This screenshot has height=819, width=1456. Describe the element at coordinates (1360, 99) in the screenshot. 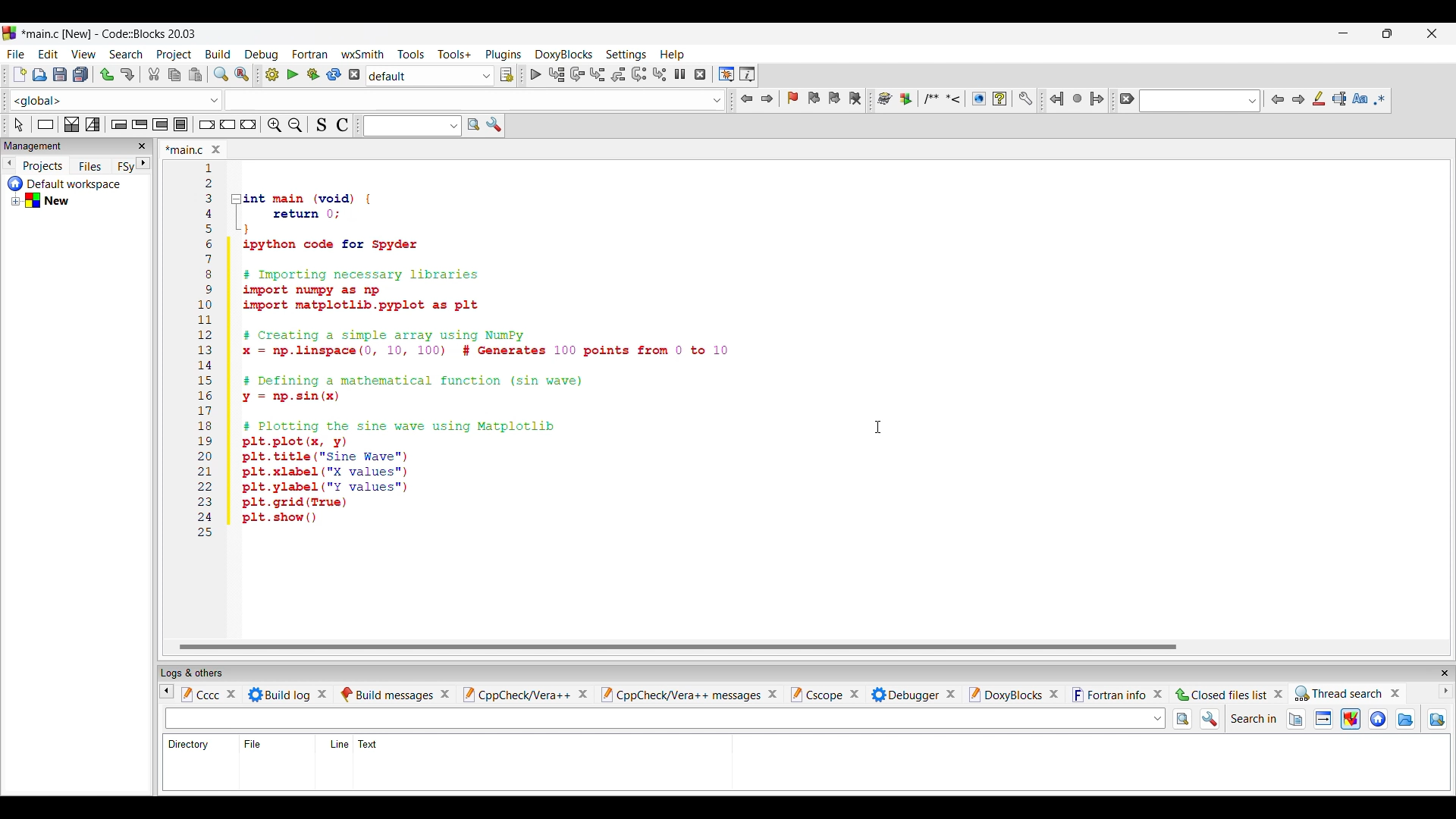

I see `Match case` at that location.